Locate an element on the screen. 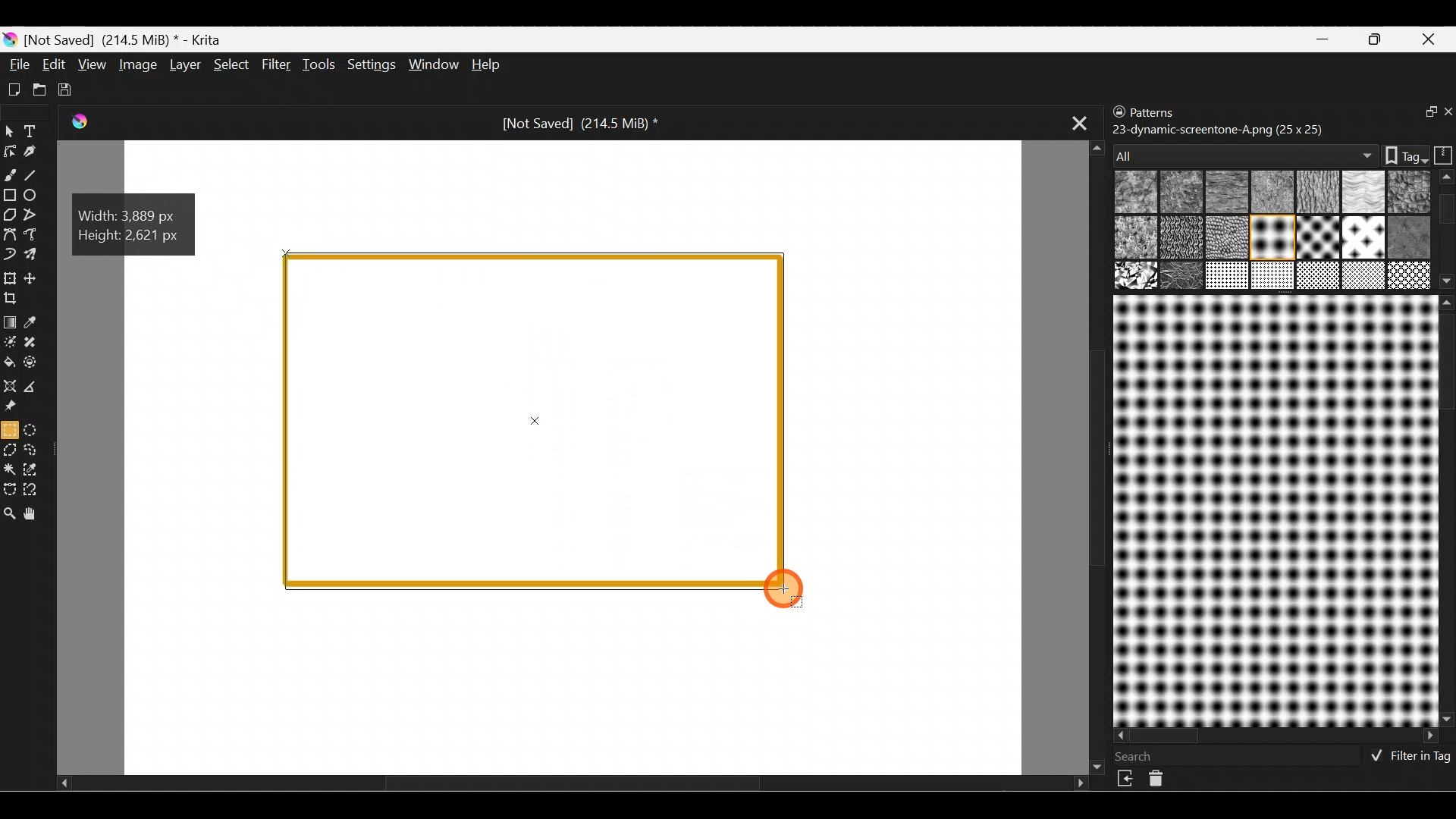 Image resolution: width=1456 pixels, height=819 pixels. Calligraphy is located at coordinates (33, 151).